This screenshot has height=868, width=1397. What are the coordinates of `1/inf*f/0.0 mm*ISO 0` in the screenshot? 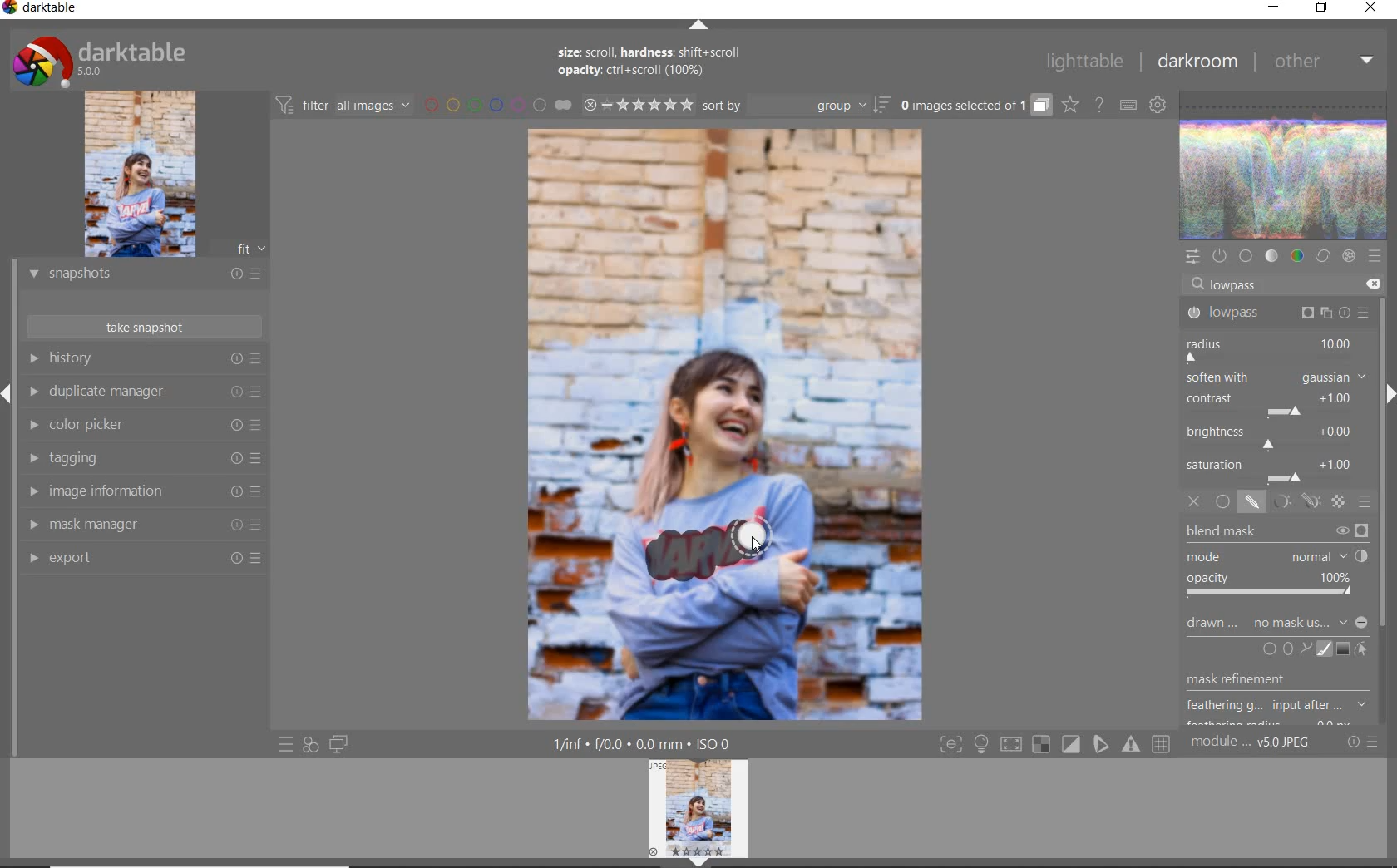 It's located at (646, 744).